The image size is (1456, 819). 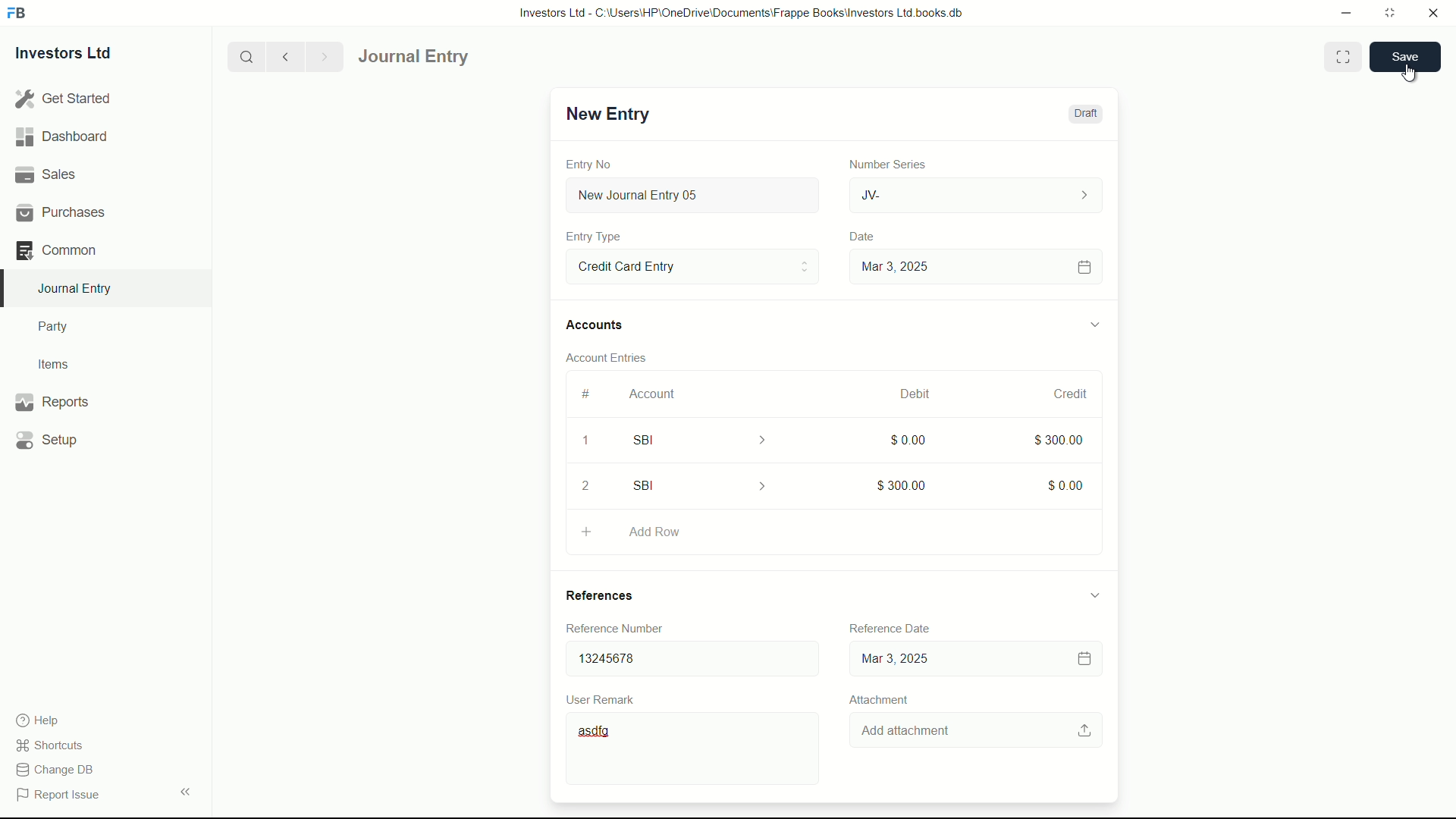 I want to click on References, so click(x=614, y=595).